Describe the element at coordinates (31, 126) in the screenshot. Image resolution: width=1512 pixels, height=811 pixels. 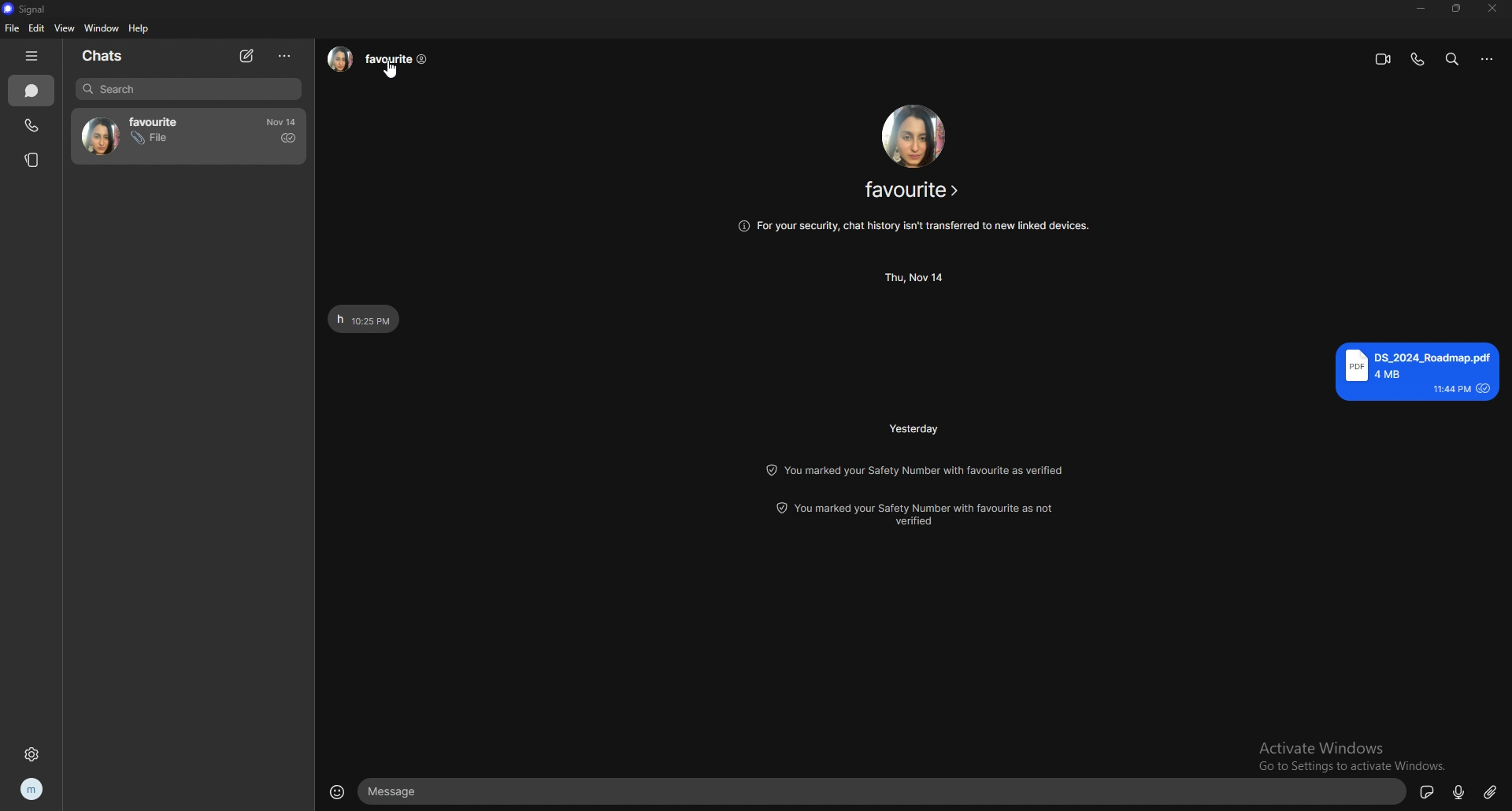
I see `calls` at that location.